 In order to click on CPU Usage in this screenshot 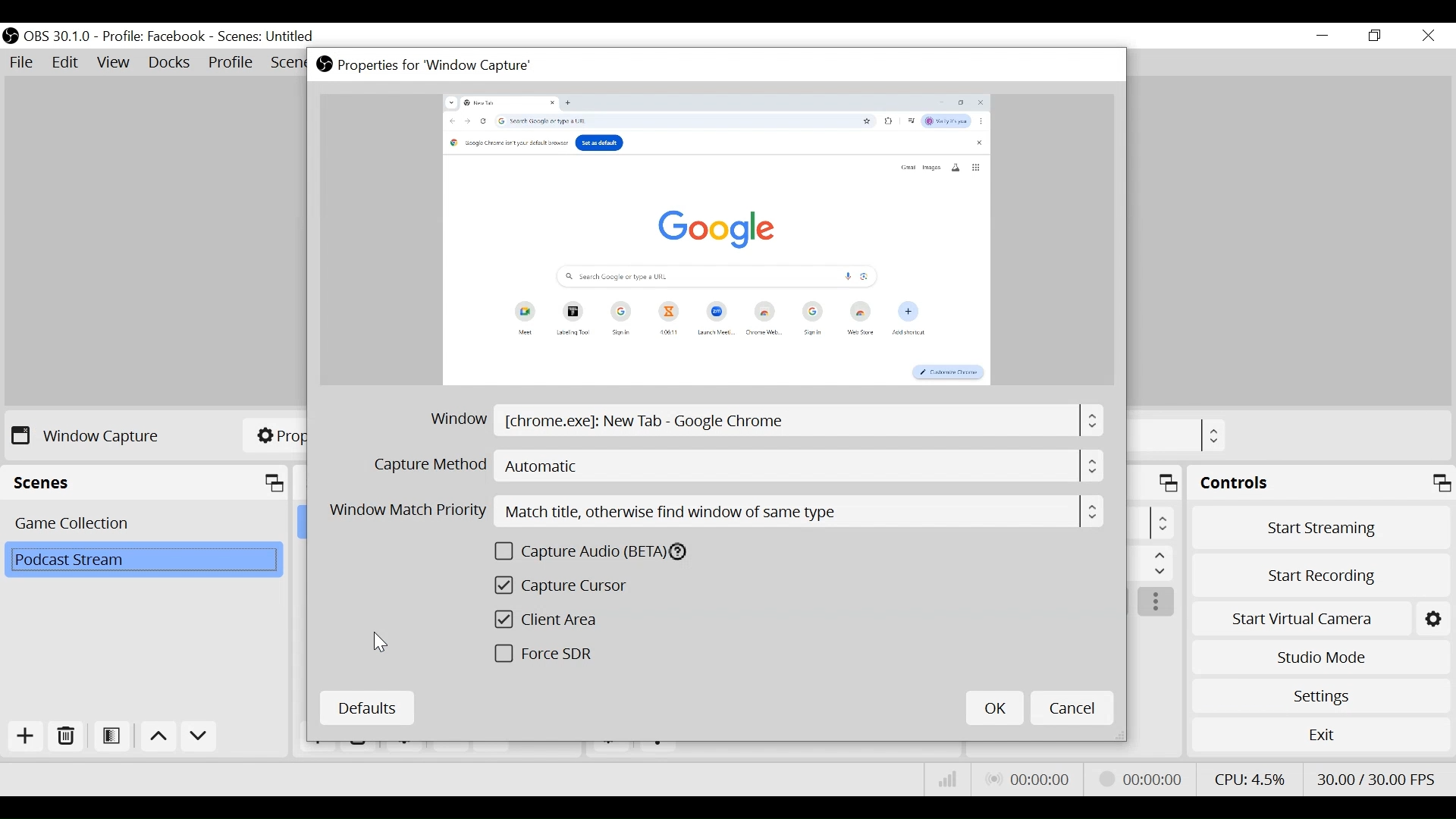, I will do `click(1250, 780)`.